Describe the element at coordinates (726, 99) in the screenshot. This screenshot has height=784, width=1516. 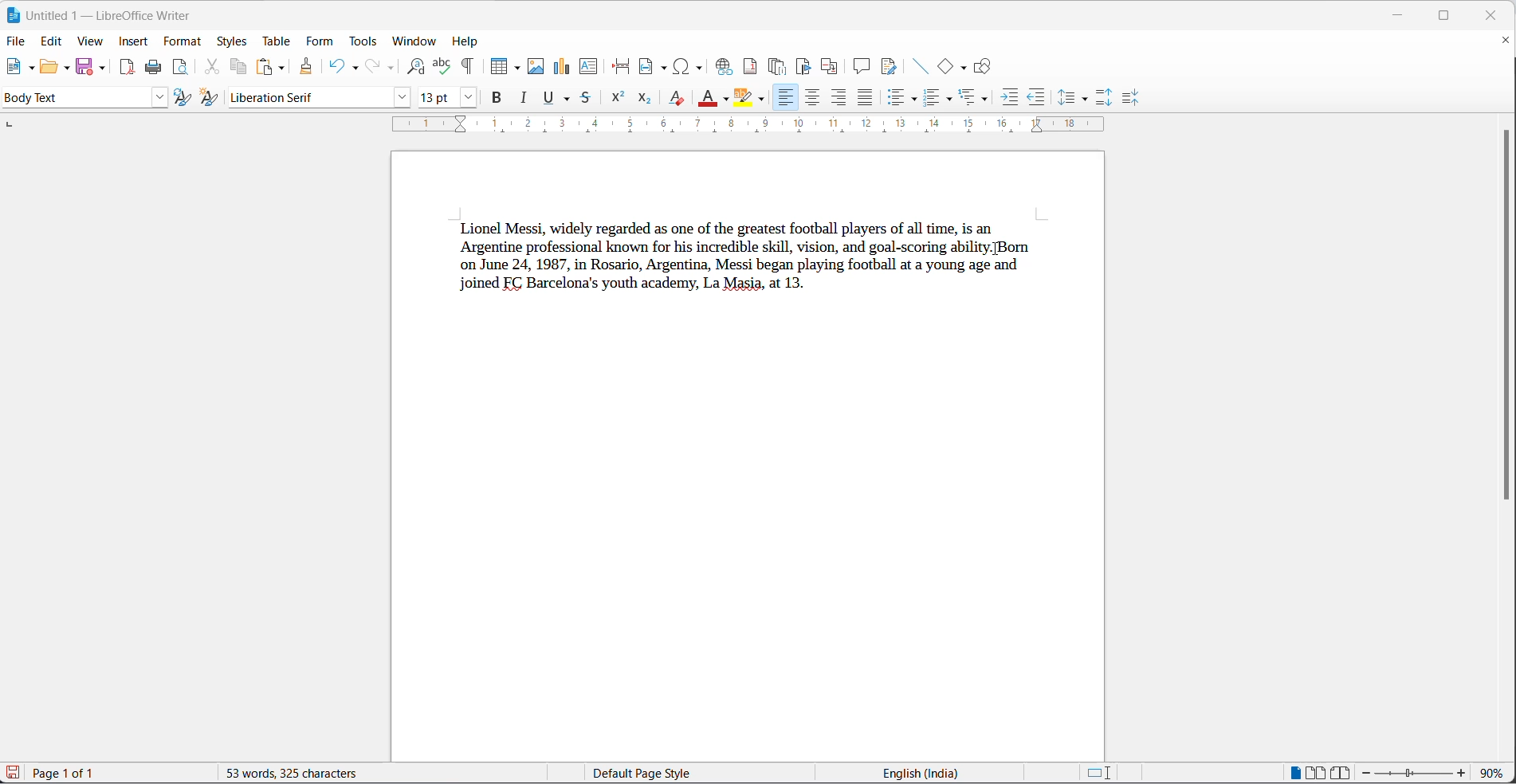
I see `font color options` at that location.